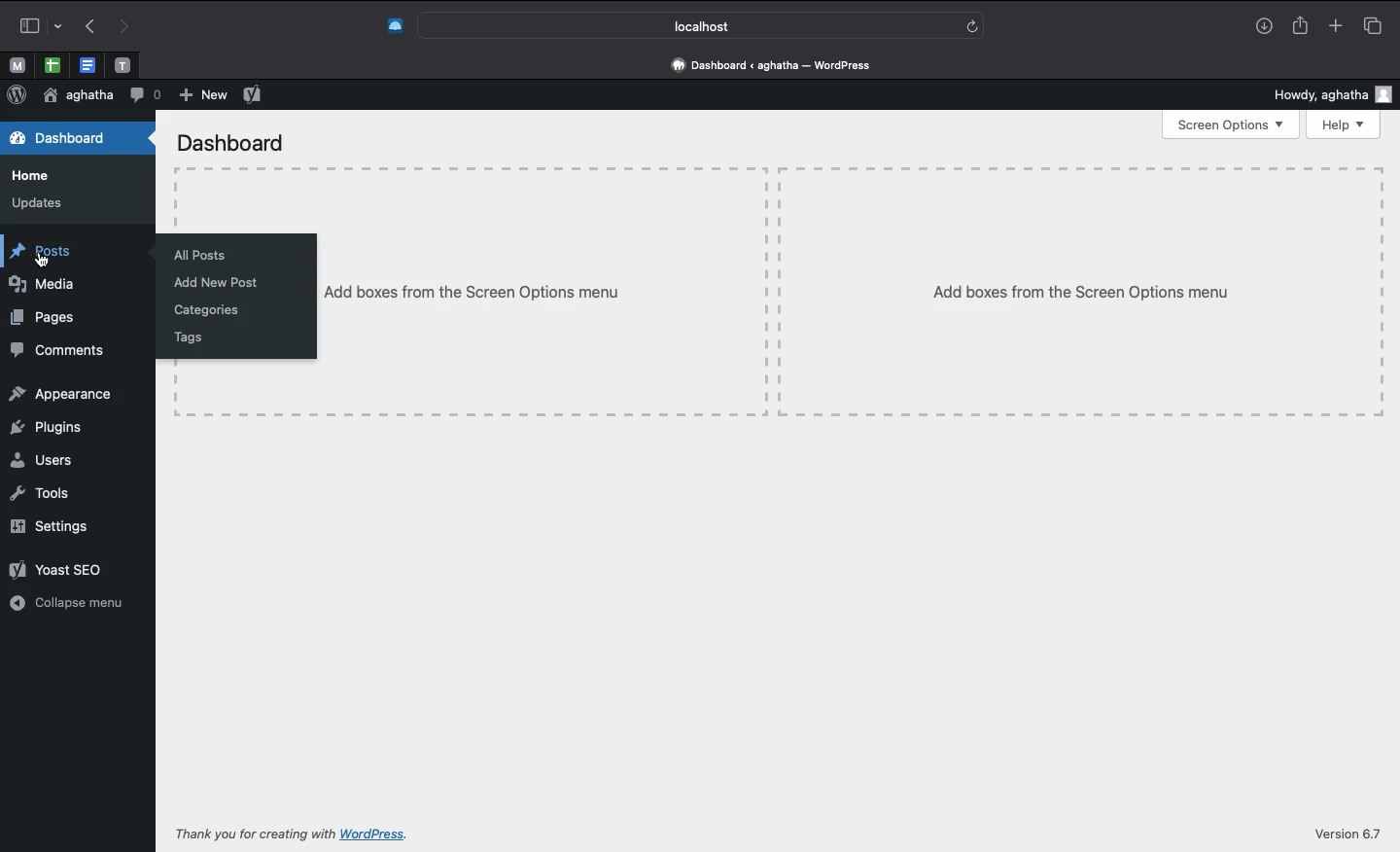 The height and width of the screenshot is (852, 1400). Describe the element at coordinates (1374, 25) in the screenshot. I see `Tabs` at that location.